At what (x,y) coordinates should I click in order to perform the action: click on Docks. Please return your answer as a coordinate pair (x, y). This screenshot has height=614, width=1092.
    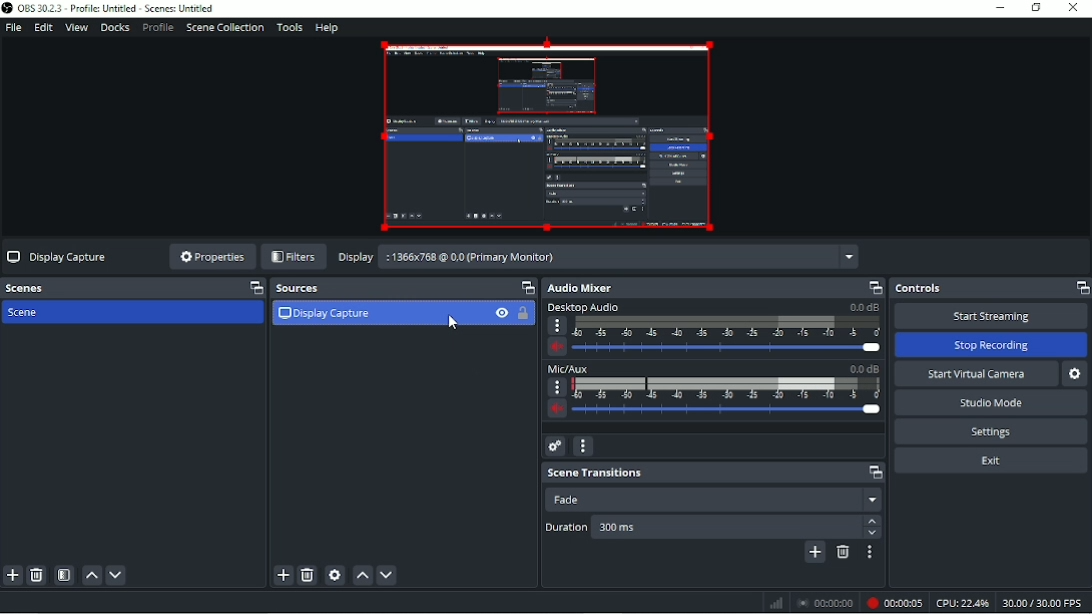
    Looking at the image, I should click on (116, 29).